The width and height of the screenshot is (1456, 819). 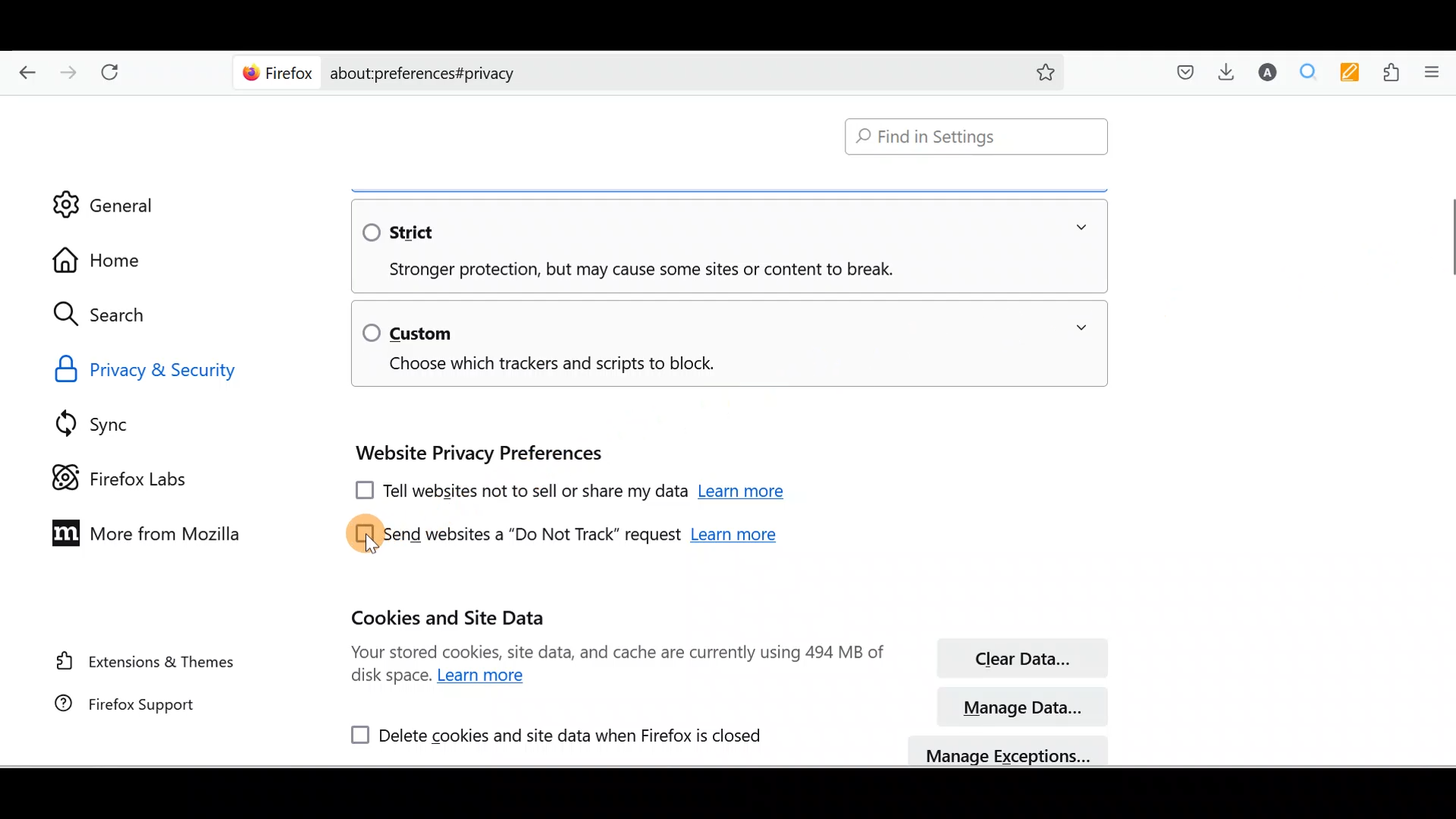 I want to click on move down, so click(x=1447, y=756).